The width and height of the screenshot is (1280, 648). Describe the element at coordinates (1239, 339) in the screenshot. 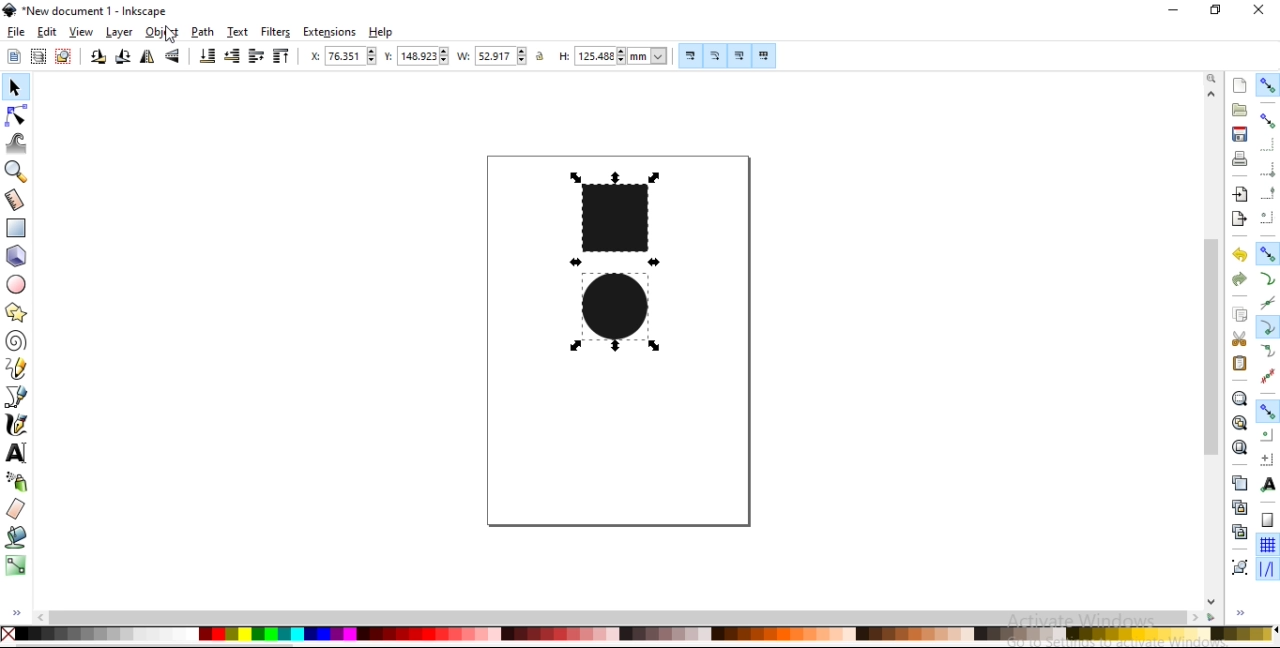

I see `cut` at that location.